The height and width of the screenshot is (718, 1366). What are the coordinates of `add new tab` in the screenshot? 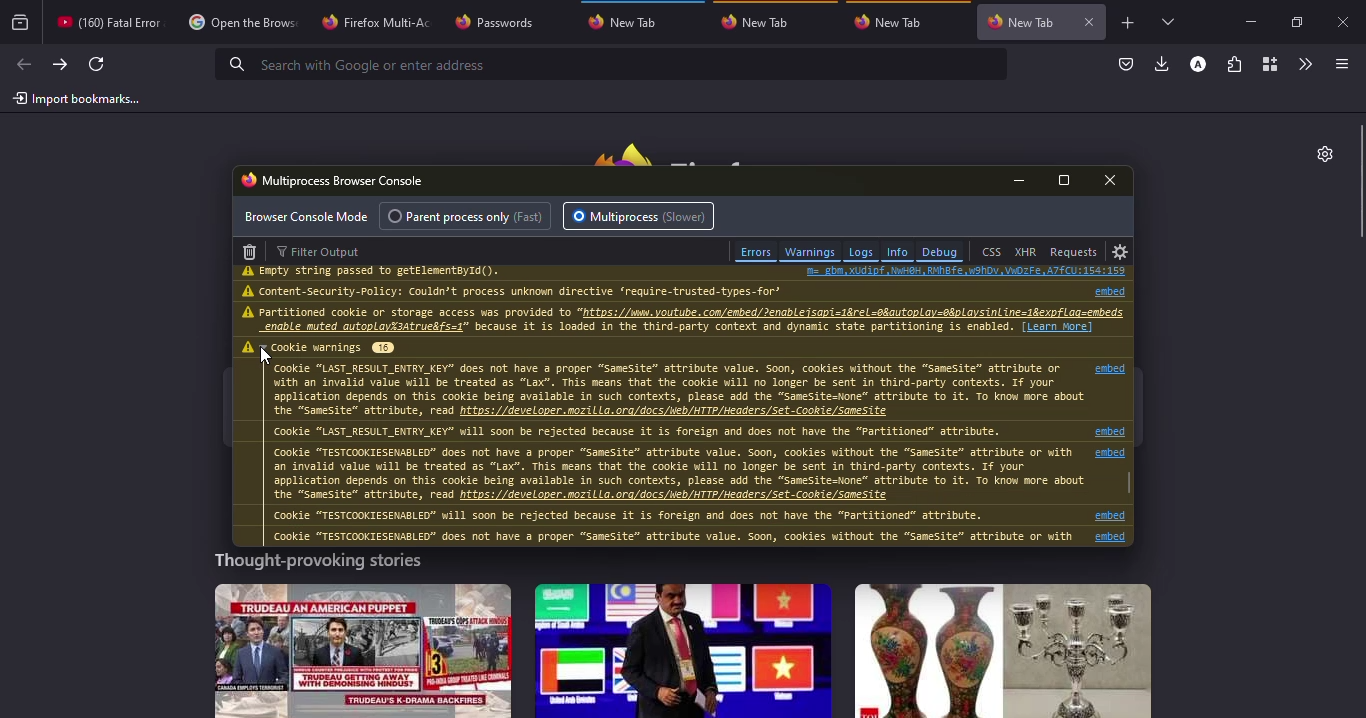 It's located at (1129, 23).